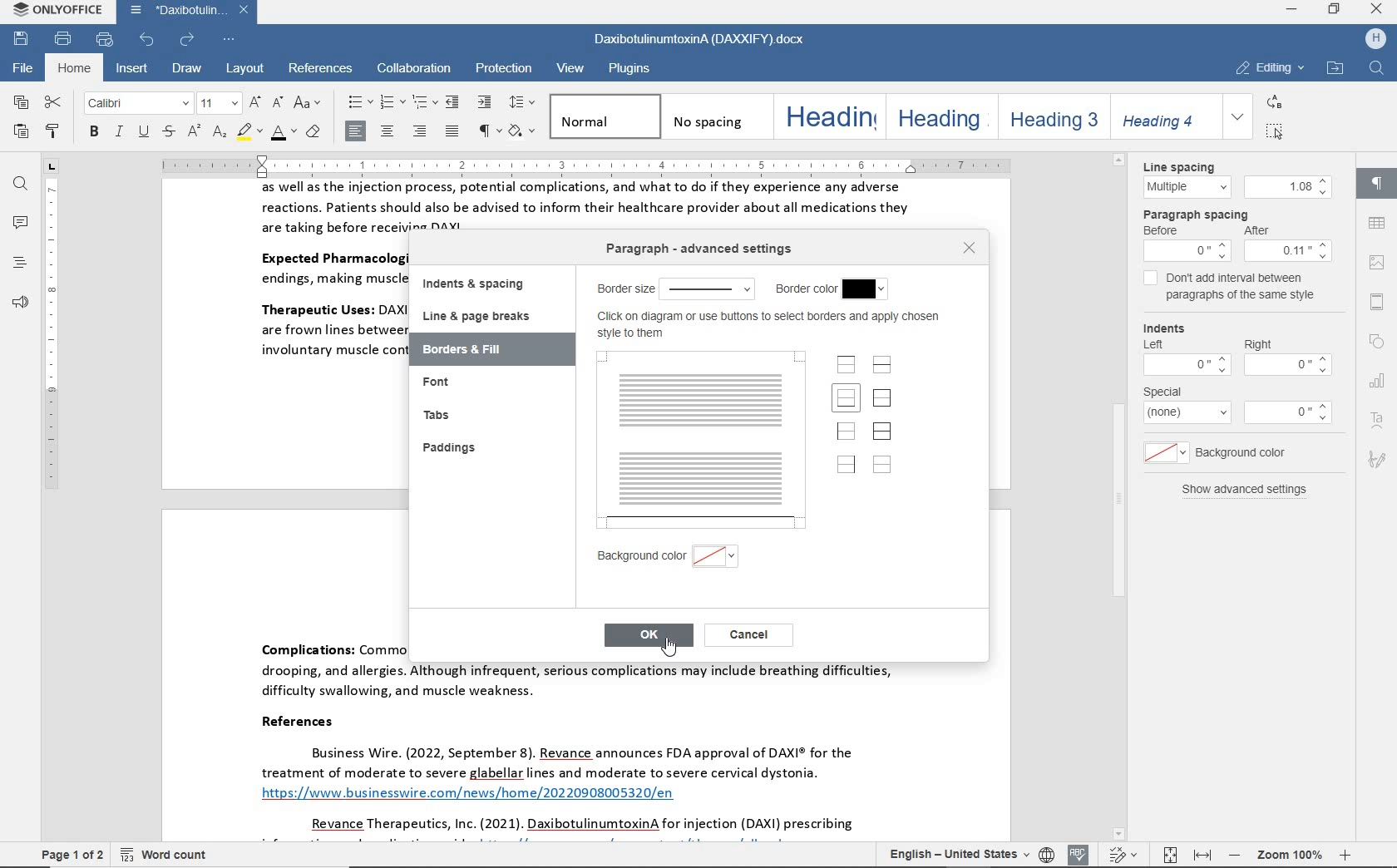 Image resolution: width=1397 pixels, height=868 pixels. Describe the element at coordinates (1379, 422) in the screenshot. I see `text art` at that location.